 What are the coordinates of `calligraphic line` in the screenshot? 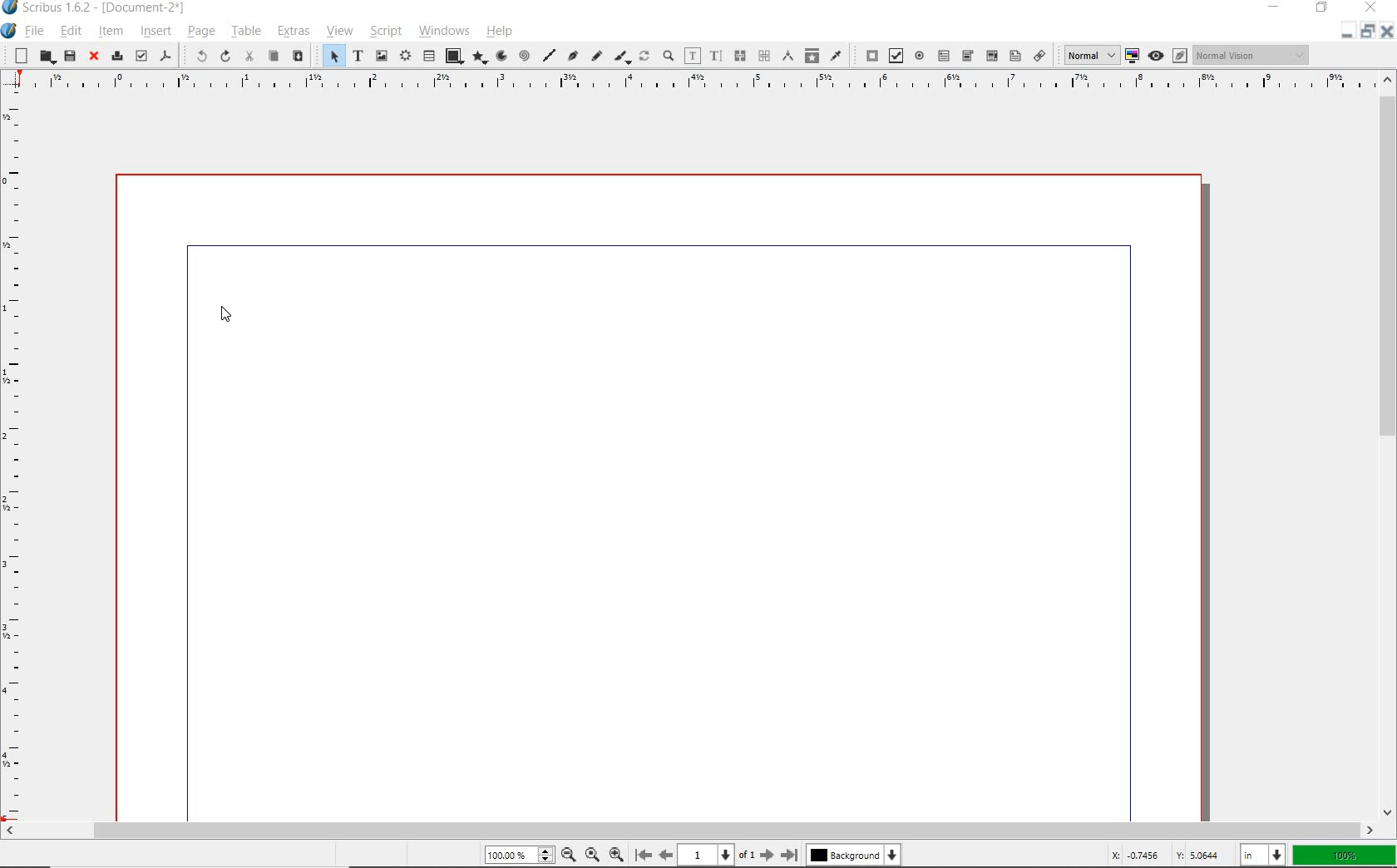 It's located at (623, 57).